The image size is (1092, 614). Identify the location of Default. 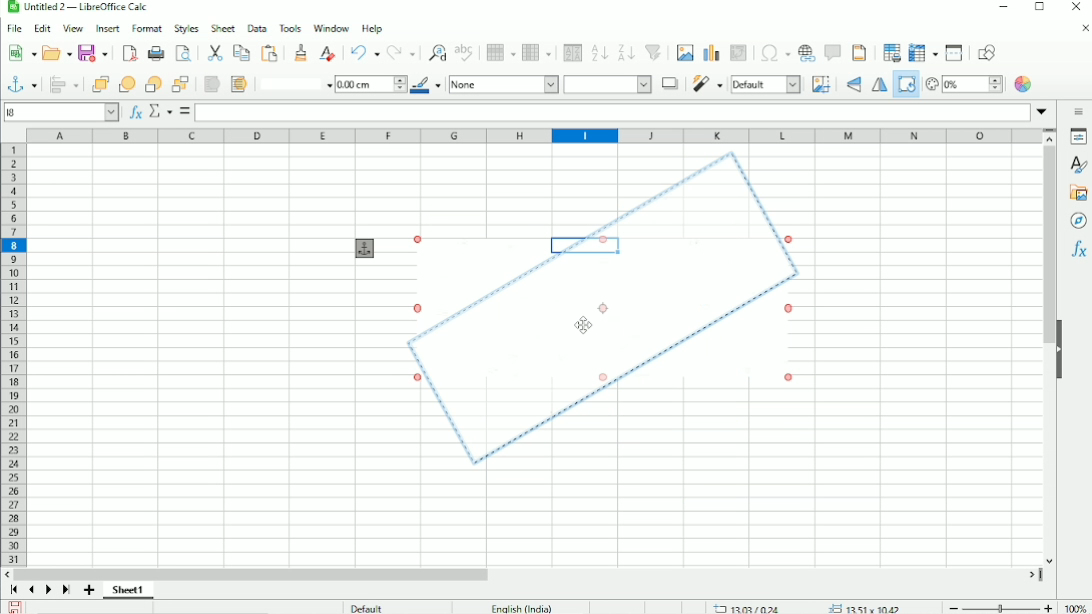
(367, 607).